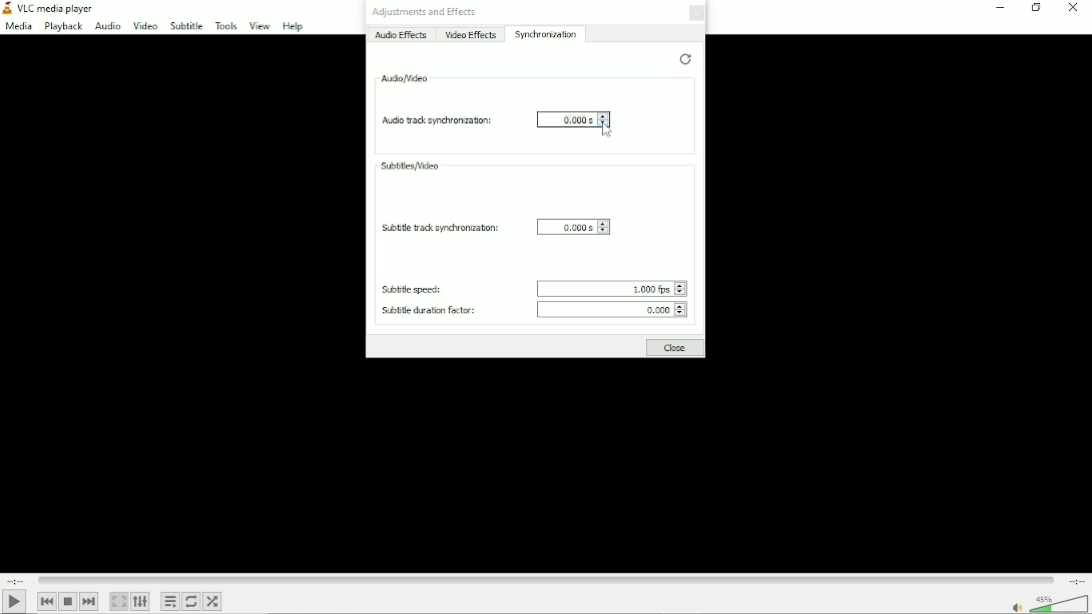 This screenshot has height=614, width=1092. Describe the element at coordinates (607, 131) in the screenshot. I see `cursor` at that location.